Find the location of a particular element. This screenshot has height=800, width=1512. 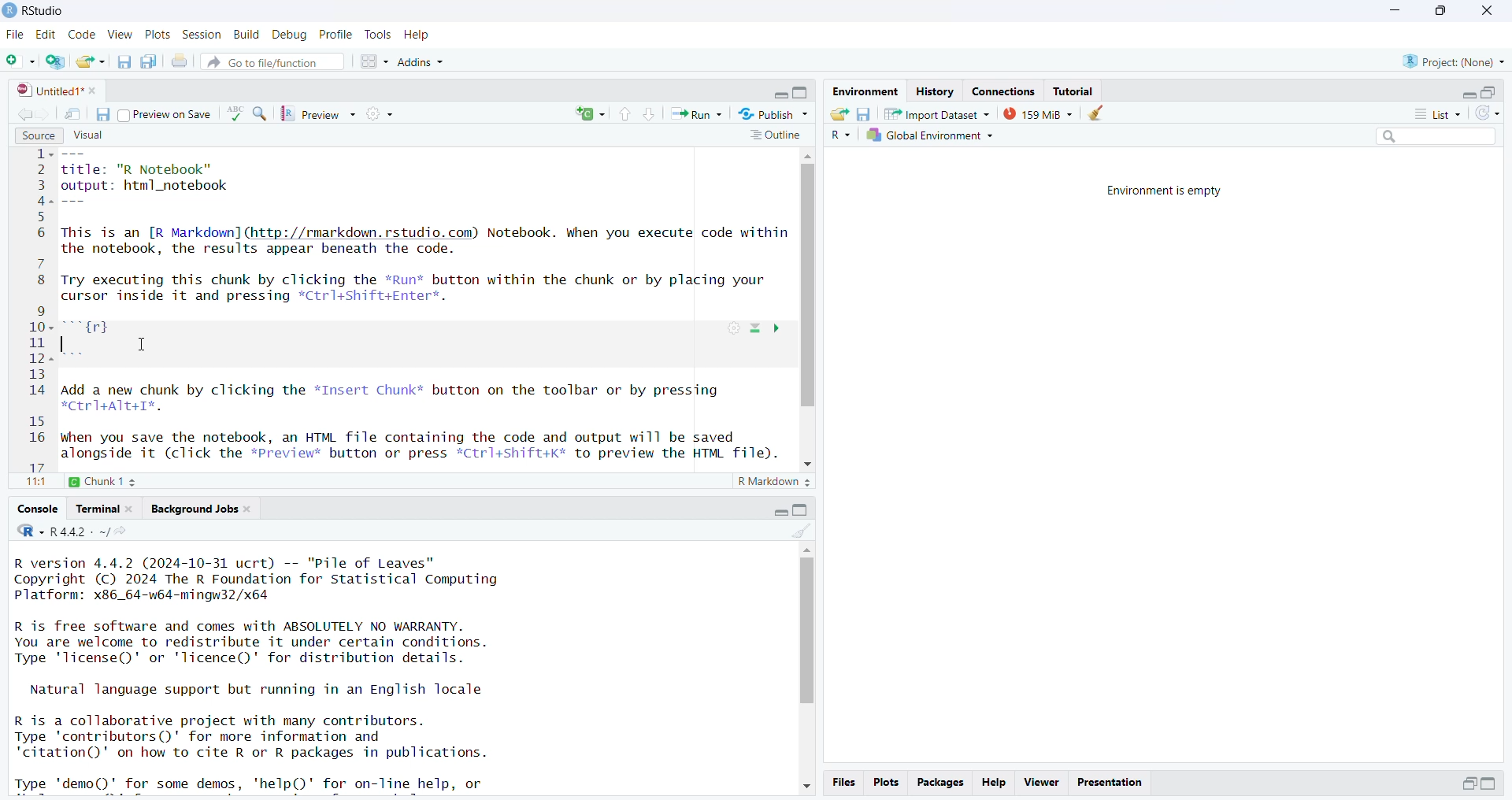

save all open documents is located at coordinates (150, 61).